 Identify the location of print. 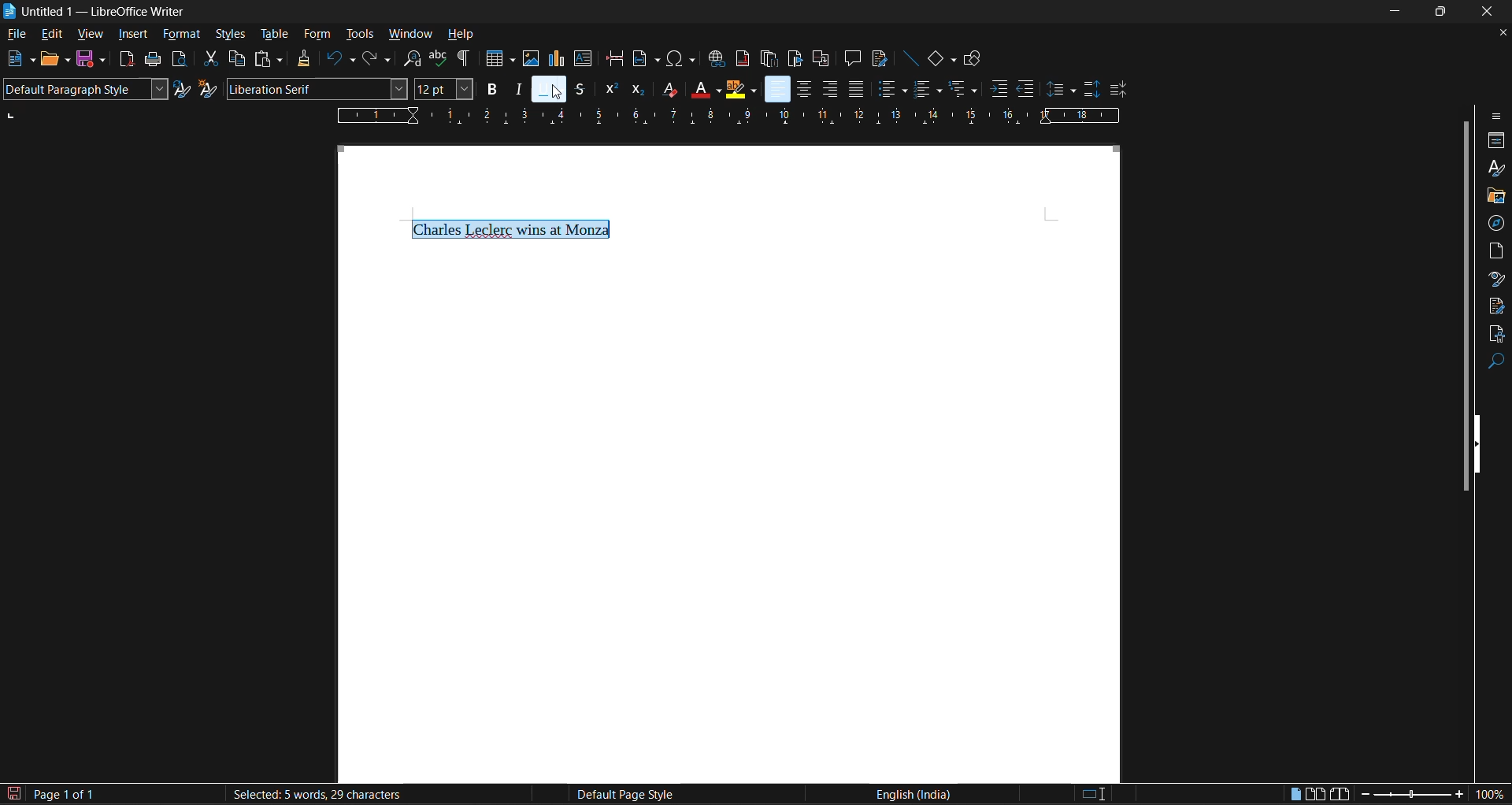
(154, 58).